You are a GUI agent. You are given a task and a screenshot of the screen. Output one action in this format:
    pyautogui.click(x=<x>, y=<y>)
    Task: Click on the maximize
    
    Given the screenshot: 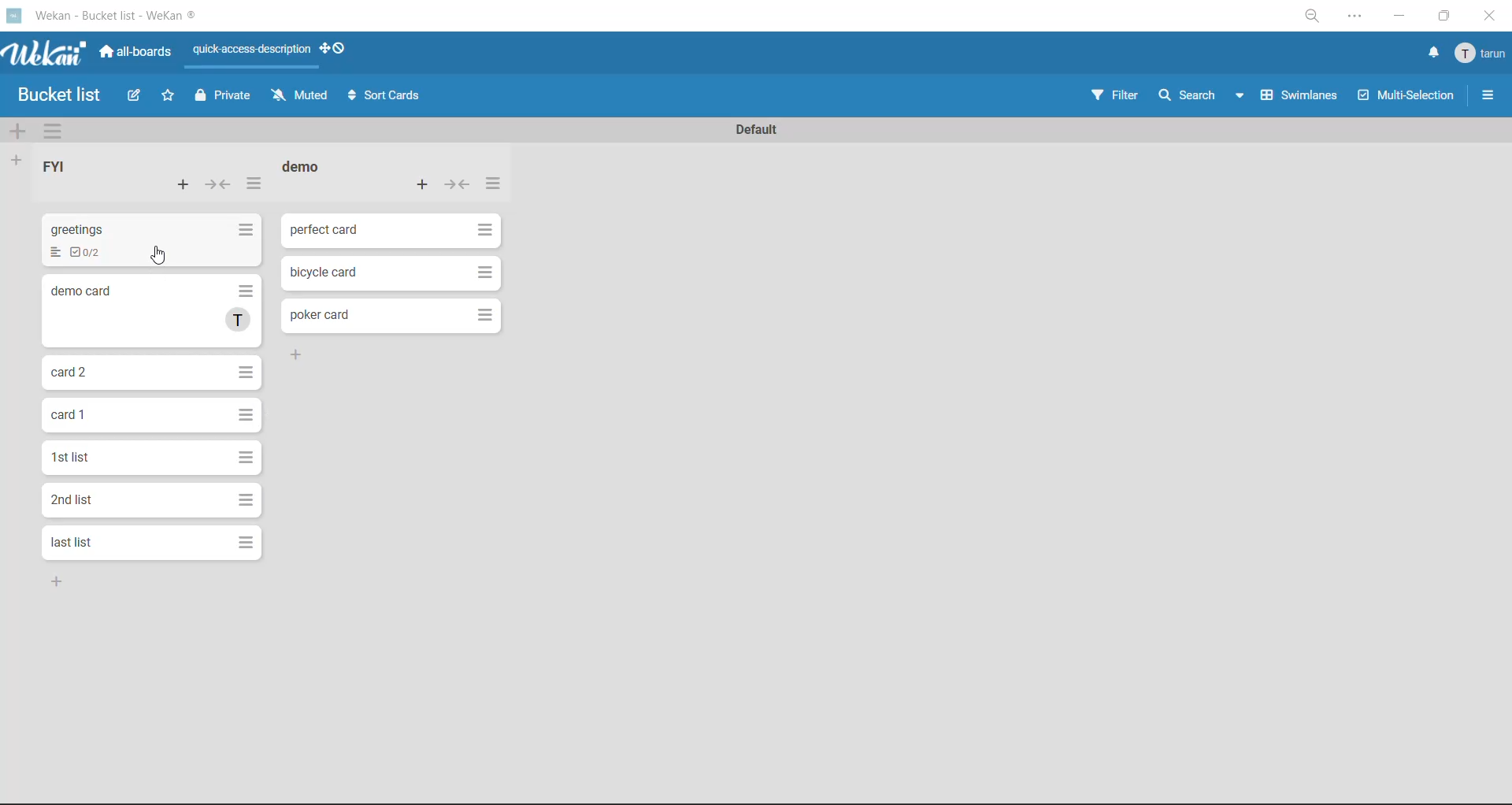 What is the action you would take?
    pyautogui.click(x=1447, y=14)
    